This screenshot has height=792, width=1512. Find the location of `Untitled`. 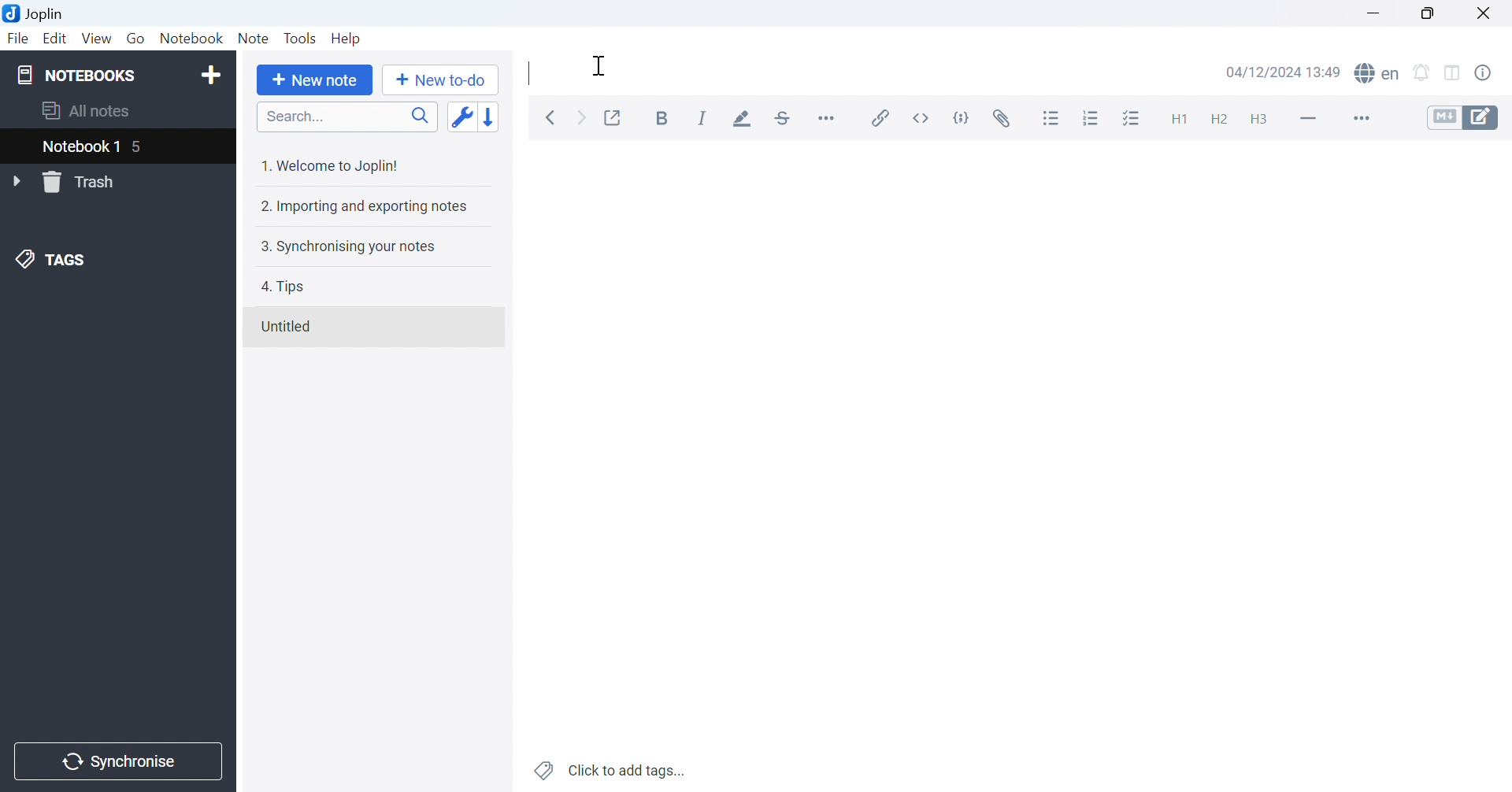

Untitled is located at coordinates (289, 327).